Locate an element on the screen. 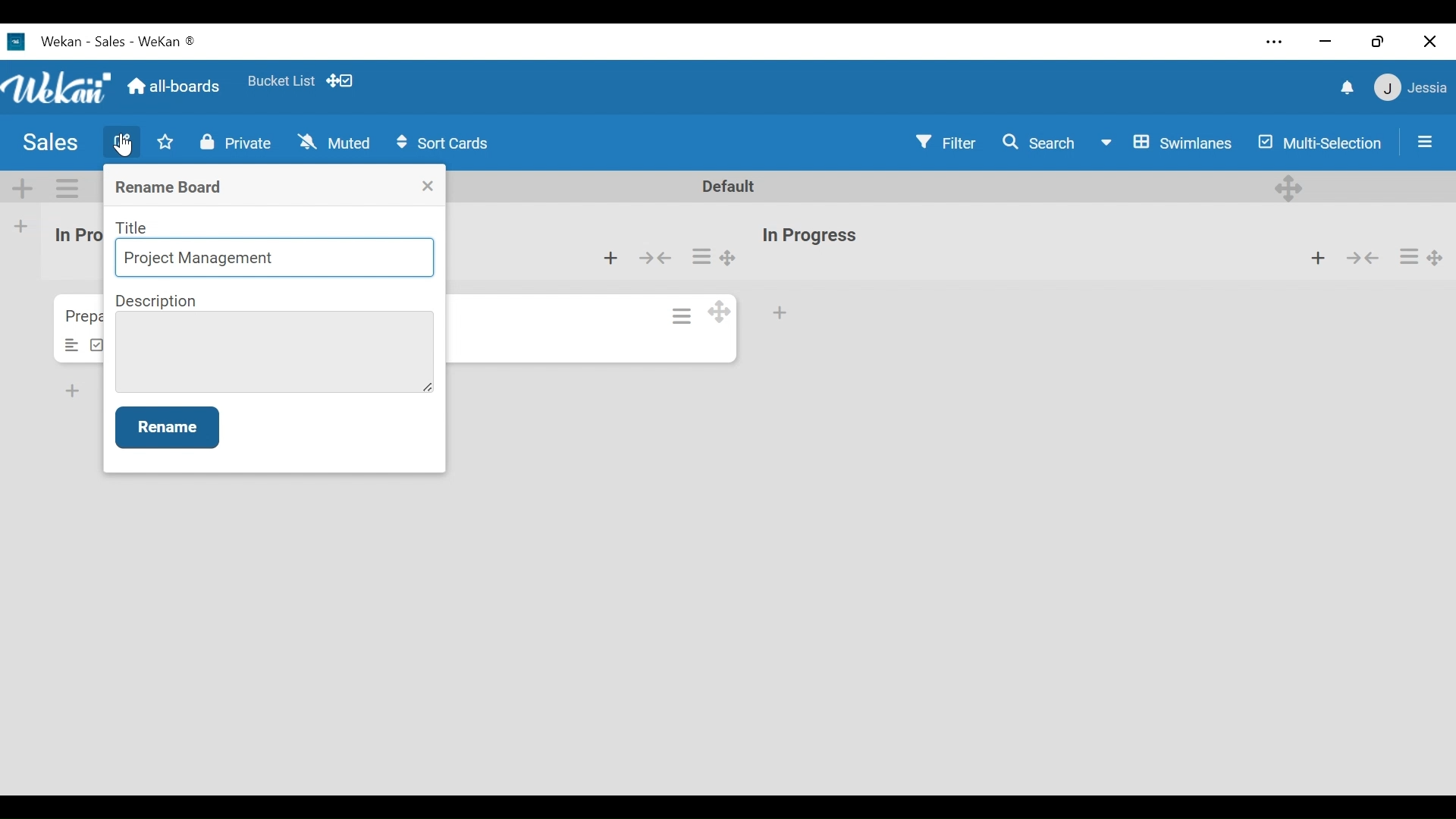 Image resolution: width=1456 pixels, height=819 pixels. Board view is located at coordinates (1170, 145).